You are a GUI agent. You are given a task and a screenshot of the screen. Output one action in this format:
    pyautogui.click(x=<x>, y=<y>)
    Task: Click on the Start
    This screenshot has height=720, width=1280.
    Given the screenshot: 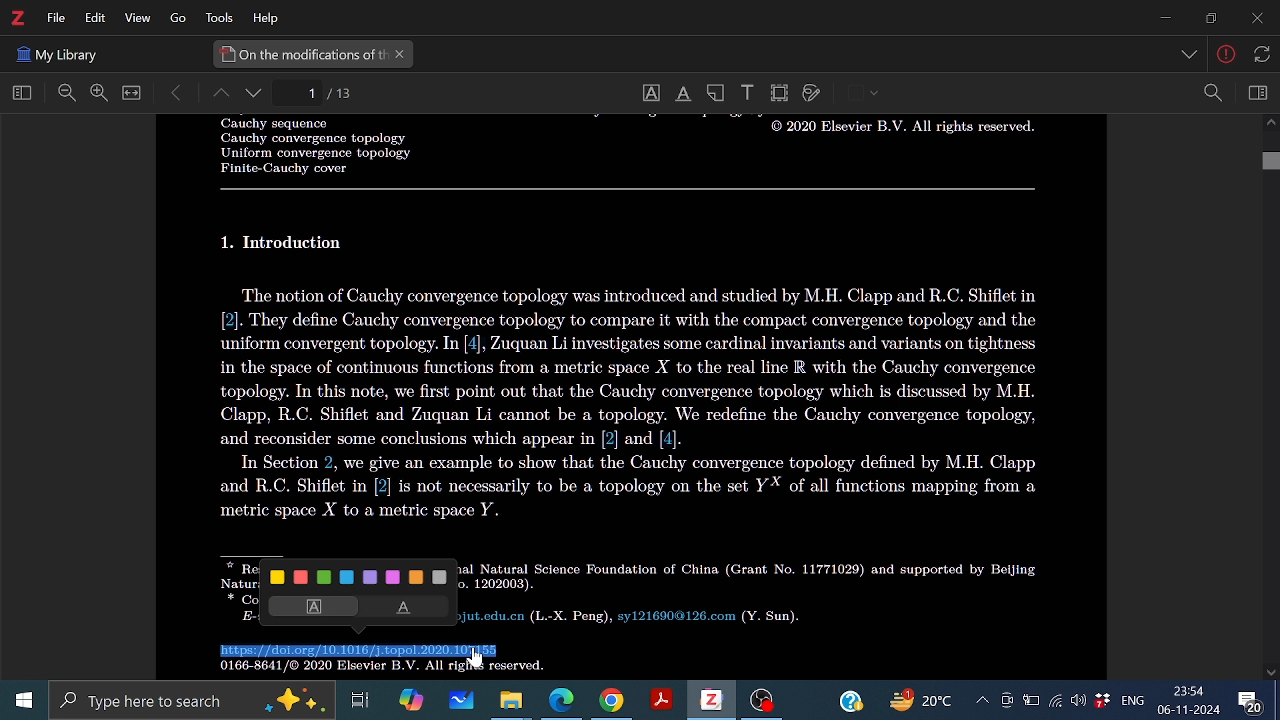 What is the action you would take?
    pyautogui.click(x=19, y=701)
    